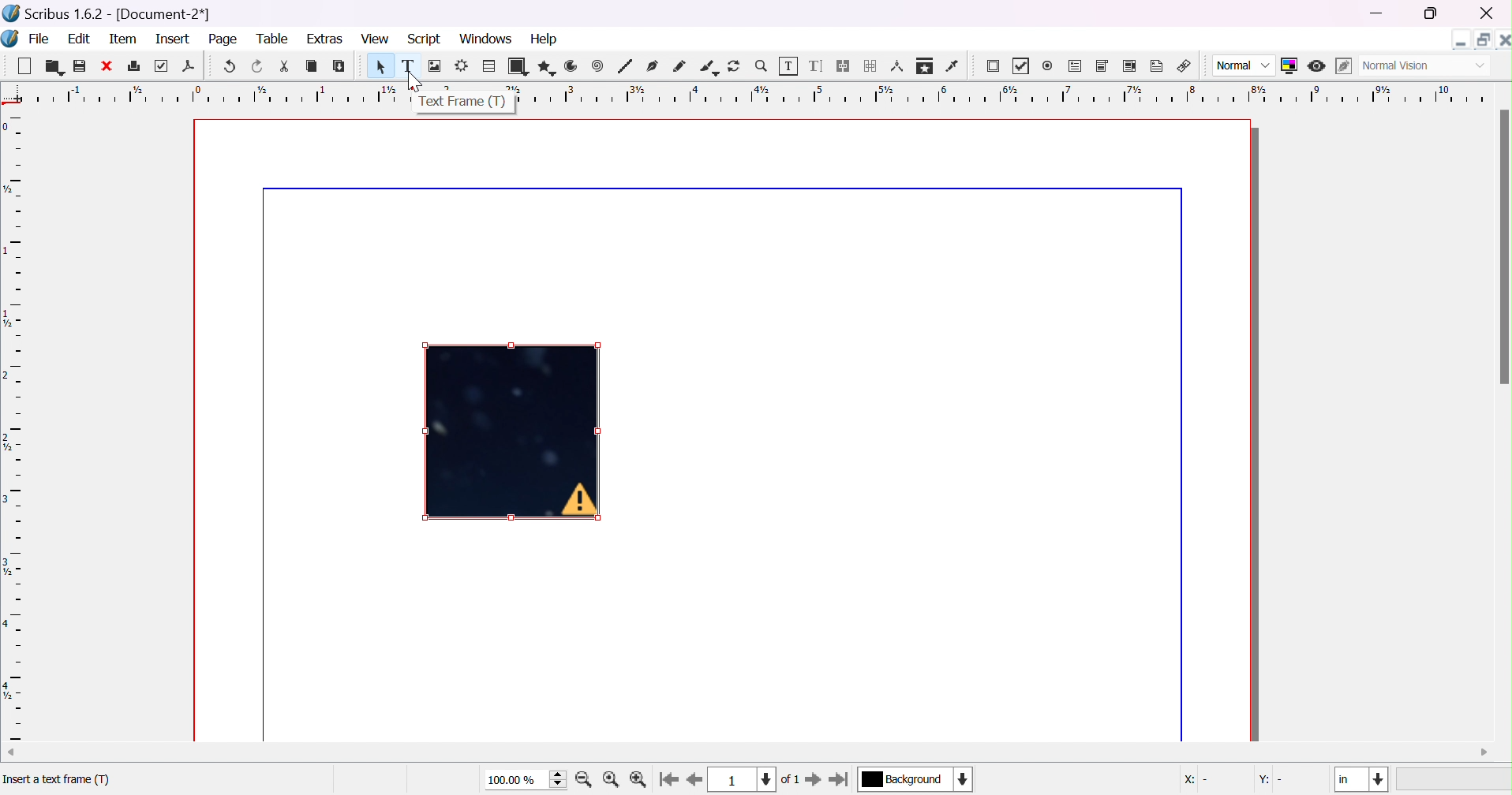  What do you see at coordinates (757, 779) in the screenshot?
I see `current page` at bounding box center [757, 779].